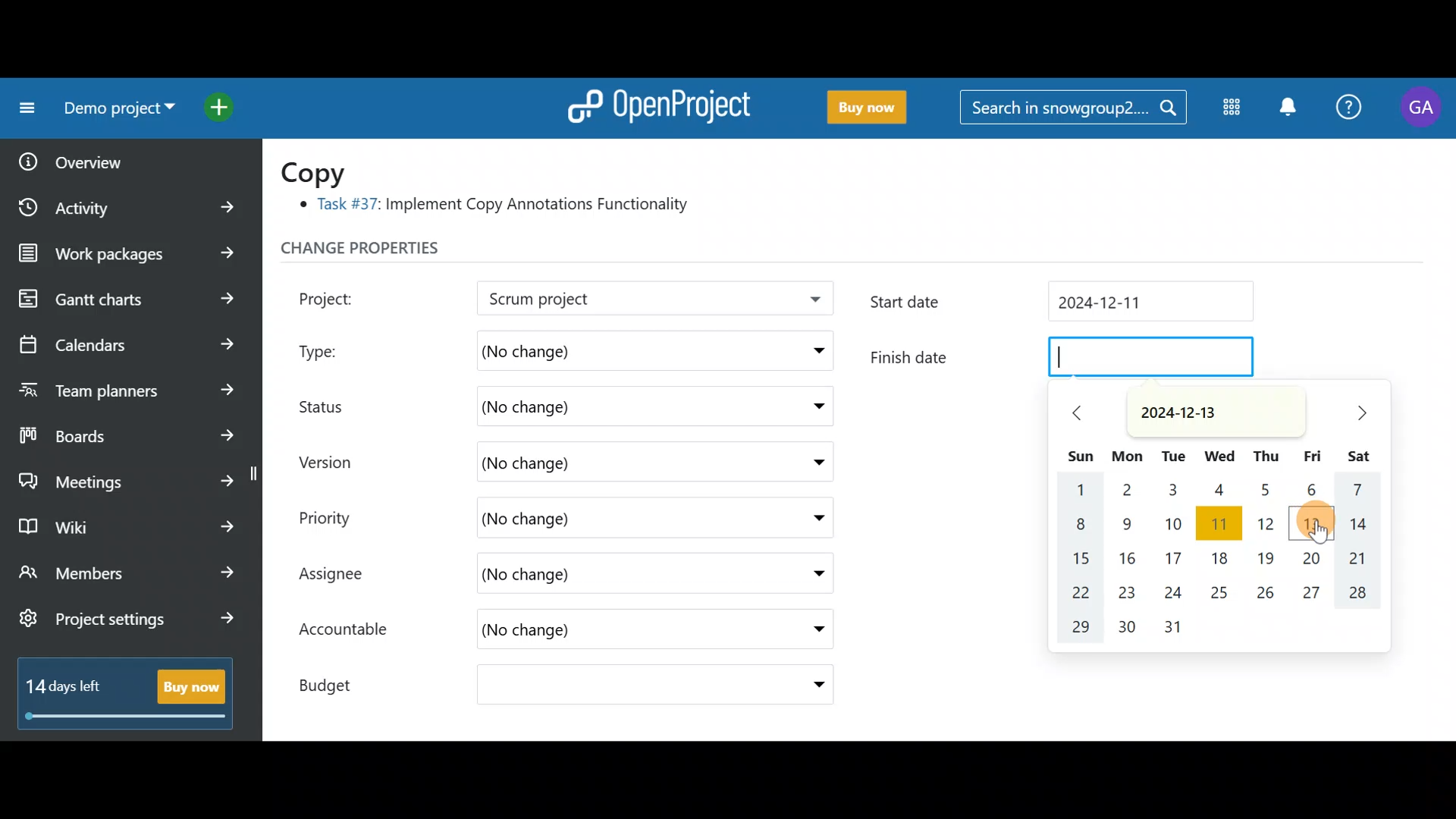 This screenshot has height=819, width=1456. Describe the element at coordinates (1189, 412) in the screenshot. I see `2024-12-13` at that location.